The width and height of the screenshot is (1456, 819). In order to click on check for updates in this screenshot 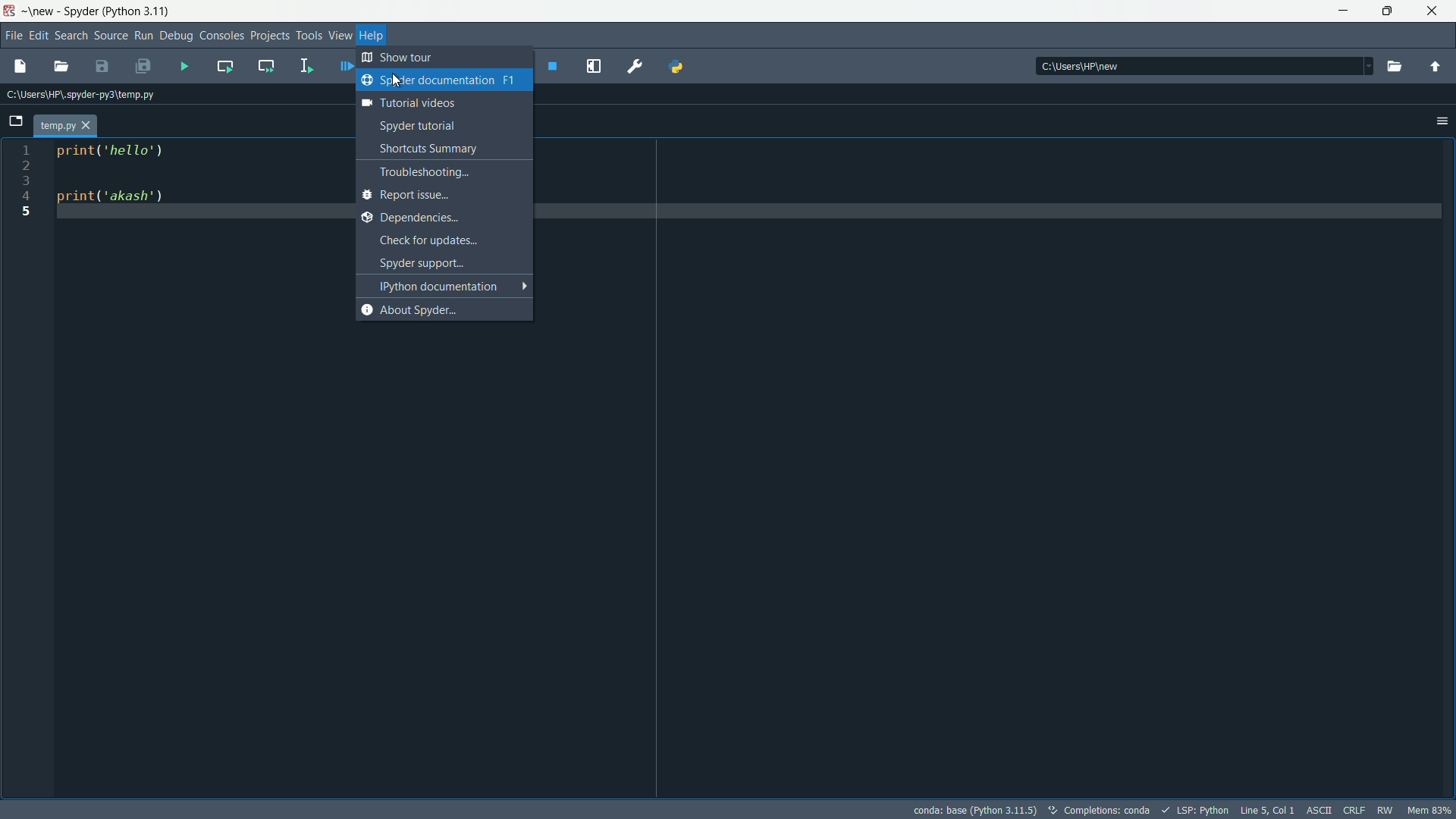, I will do `click(445, 240)`.